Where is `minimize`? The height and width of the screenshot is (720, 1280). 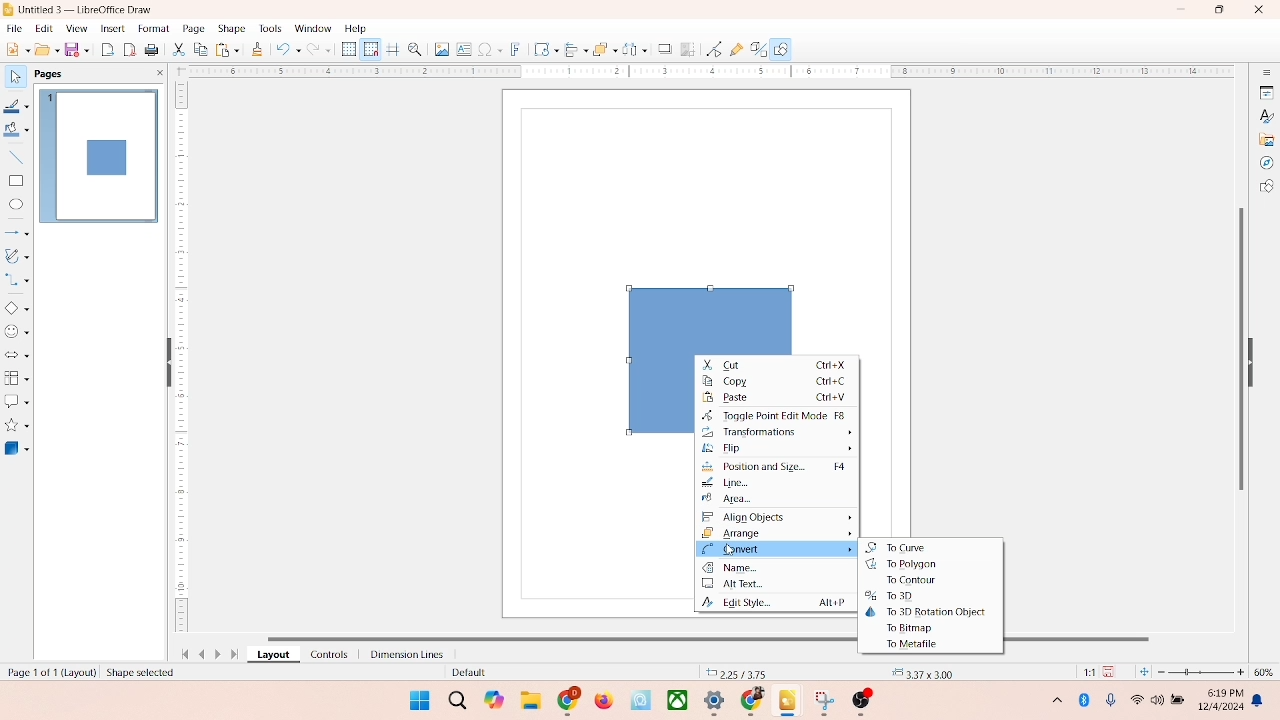
minimize is located at coordinates (1183, 9).